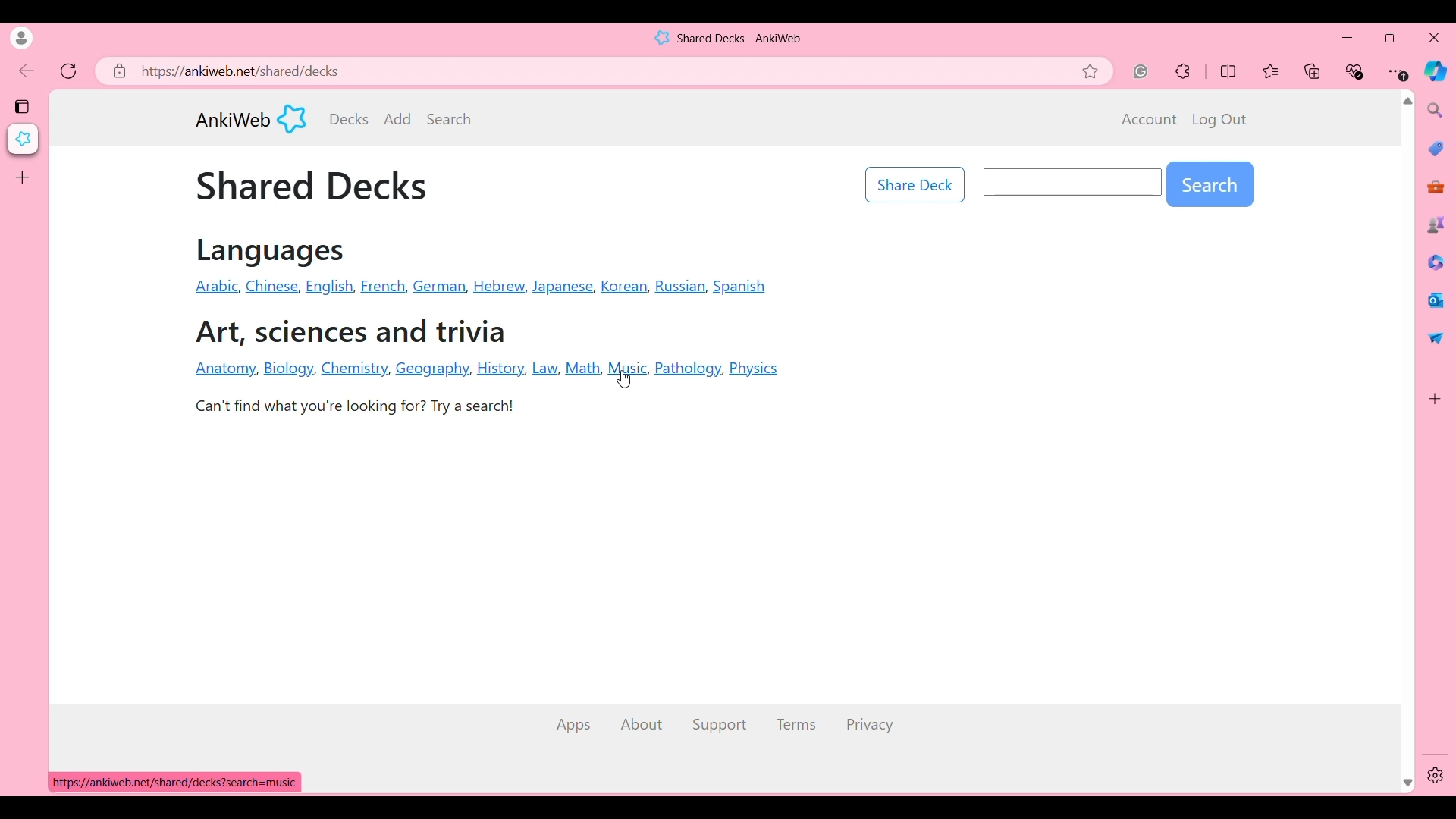  Describe the element at coordinates (118, 69) in the screenshot. I see `Click to view site information` at that location.